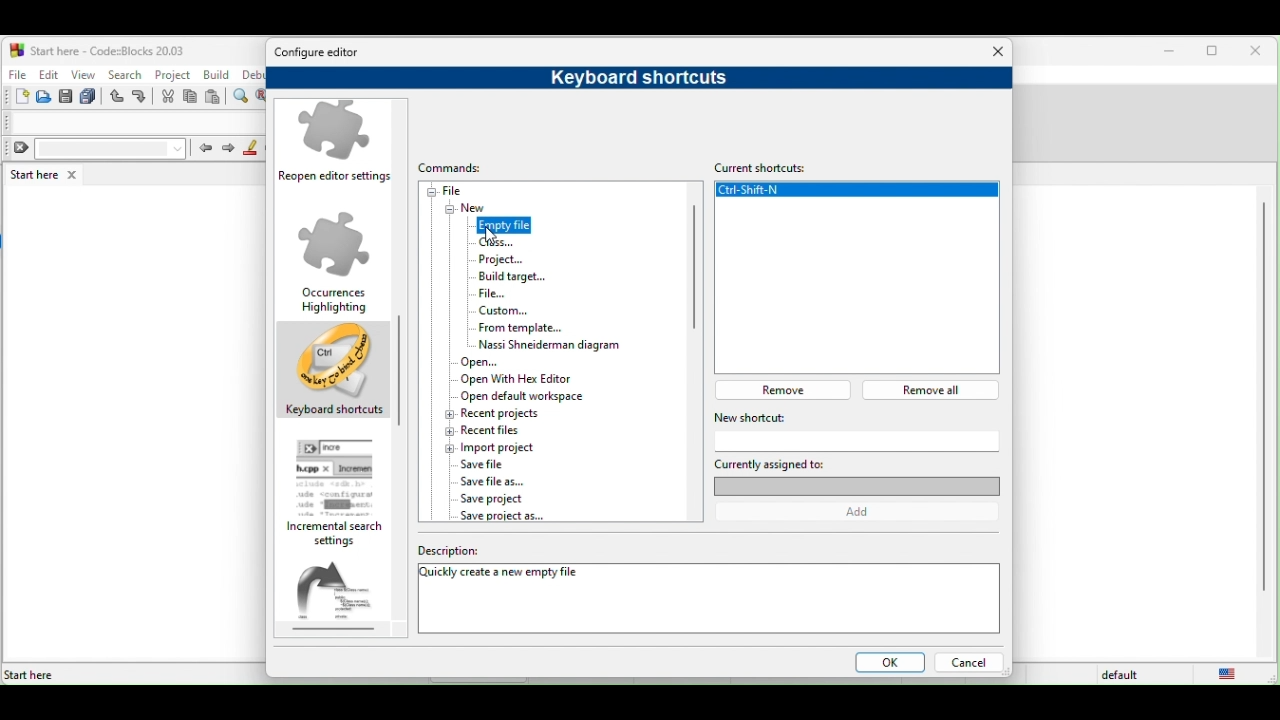 The image size is (1280, 720). Describe the element at coordinates (506, 258) in the screenshot. I see `project` at that location.